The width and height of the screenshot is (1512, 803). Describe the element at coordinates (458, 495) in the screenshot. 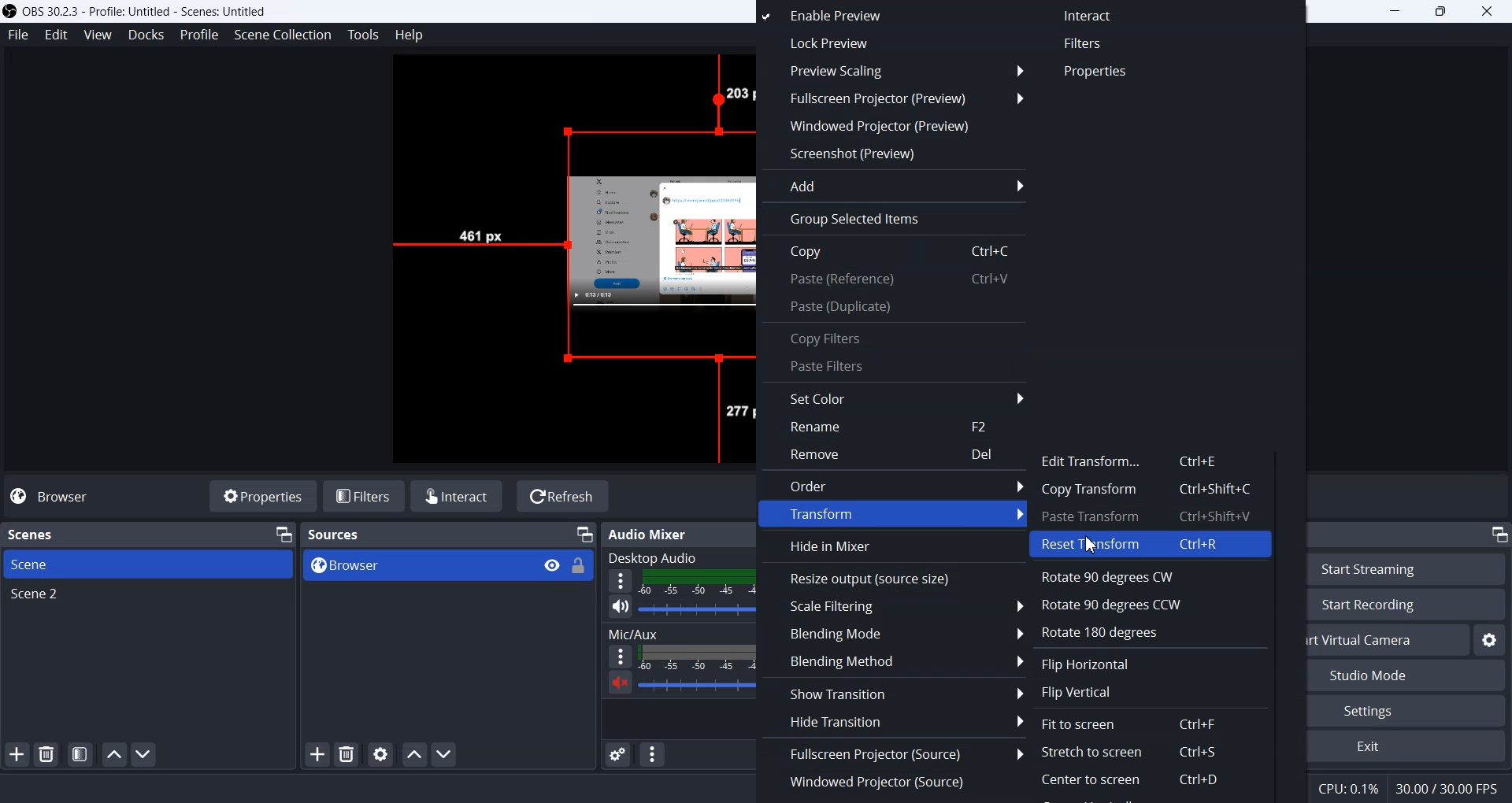

I see `Interact` at that location.